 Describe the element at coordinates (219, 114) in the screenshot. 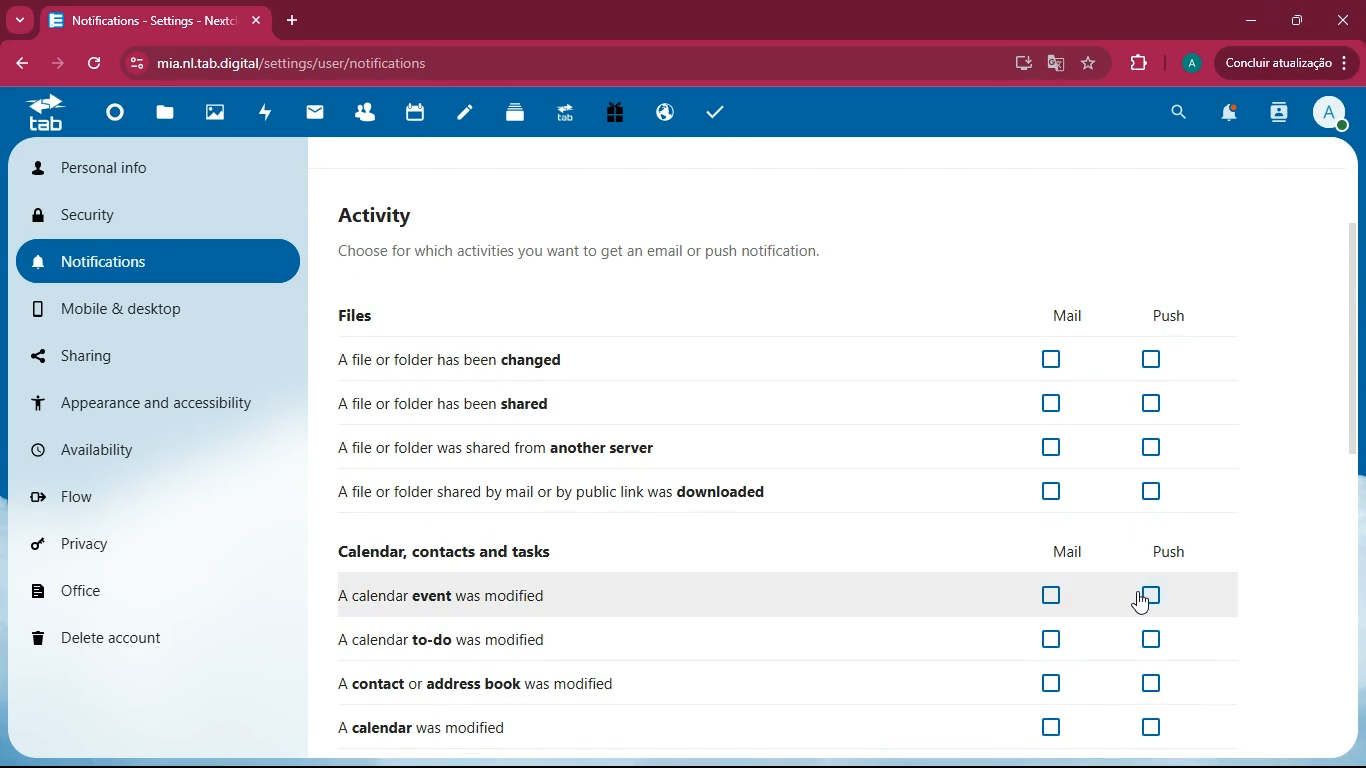

I see `images` at that location.